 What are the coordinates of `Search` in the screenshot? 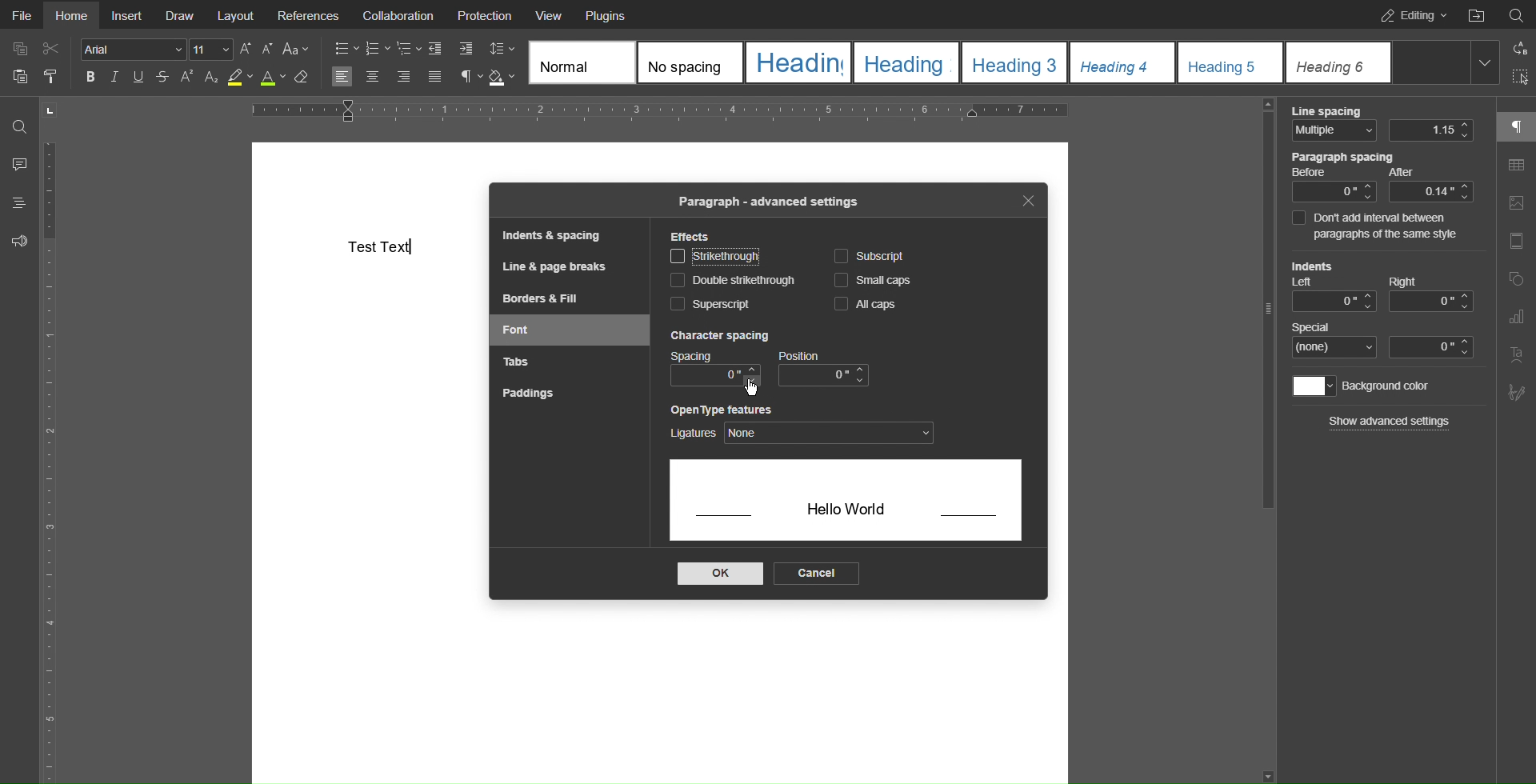 It's located at (1516, 13).